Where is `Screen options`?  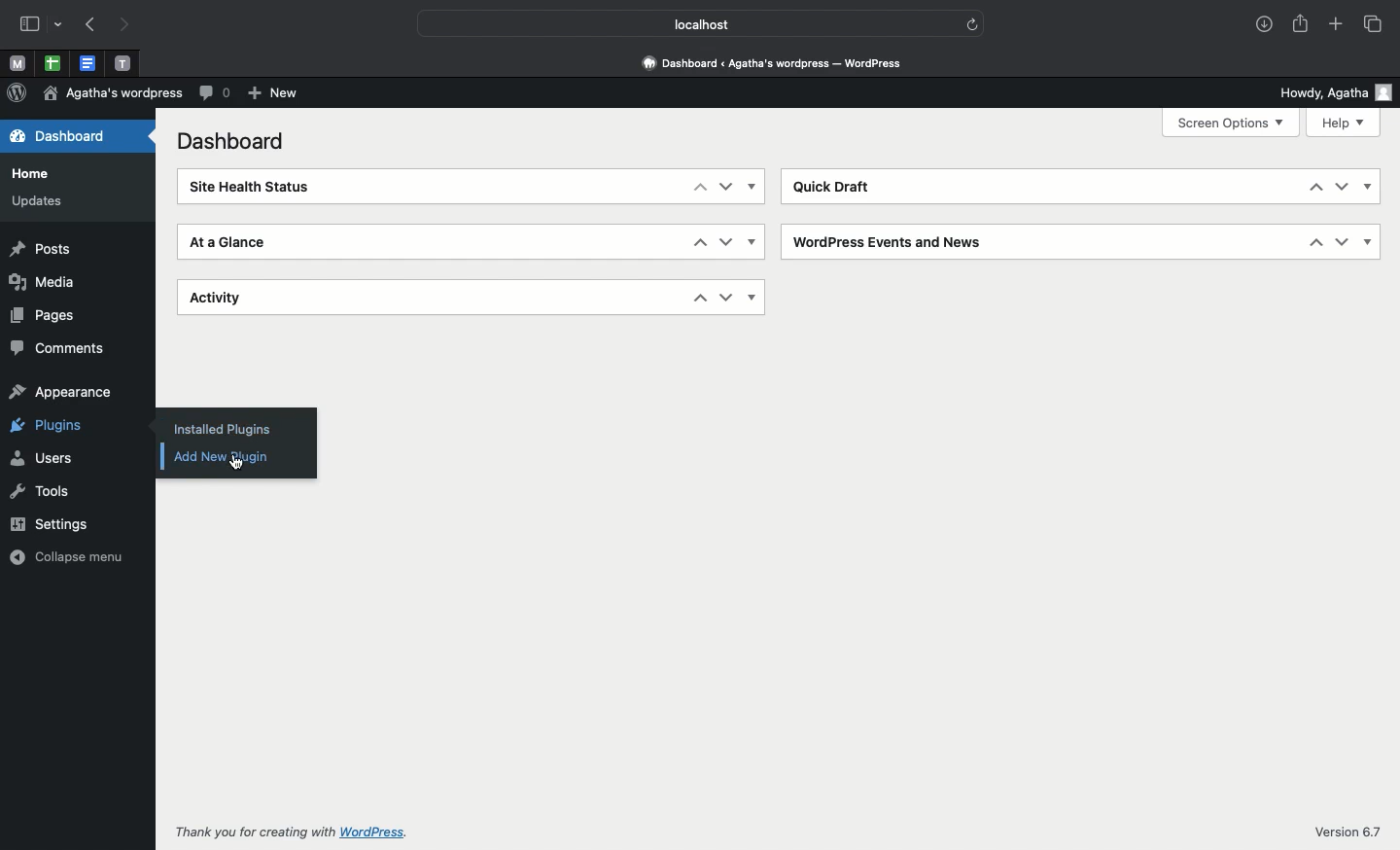
Screen options is located at coordinates (1232, 124).